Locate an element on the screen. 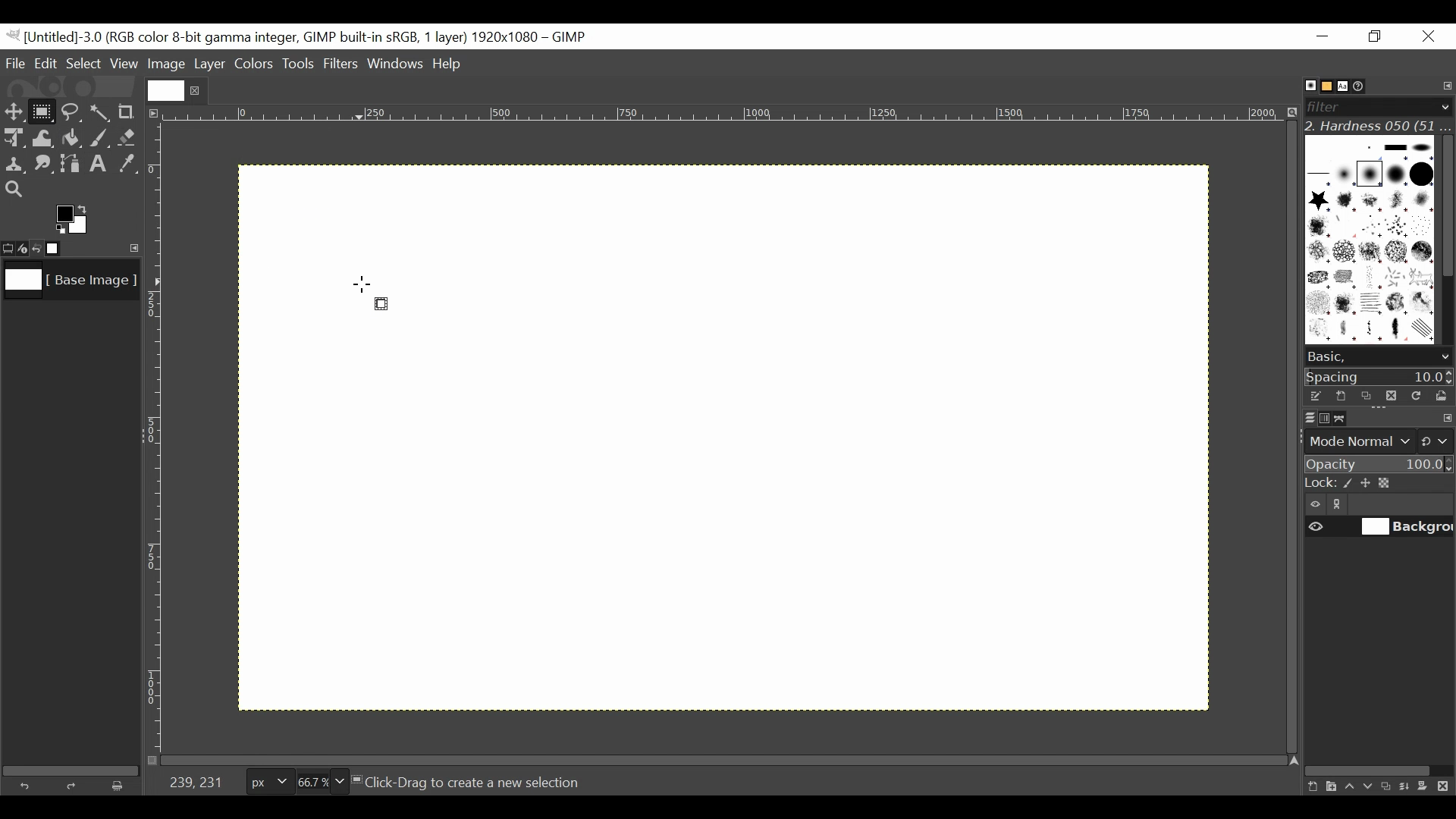 This screenshot has width=1456, height=819. Help is located at coordinates (450, 65).